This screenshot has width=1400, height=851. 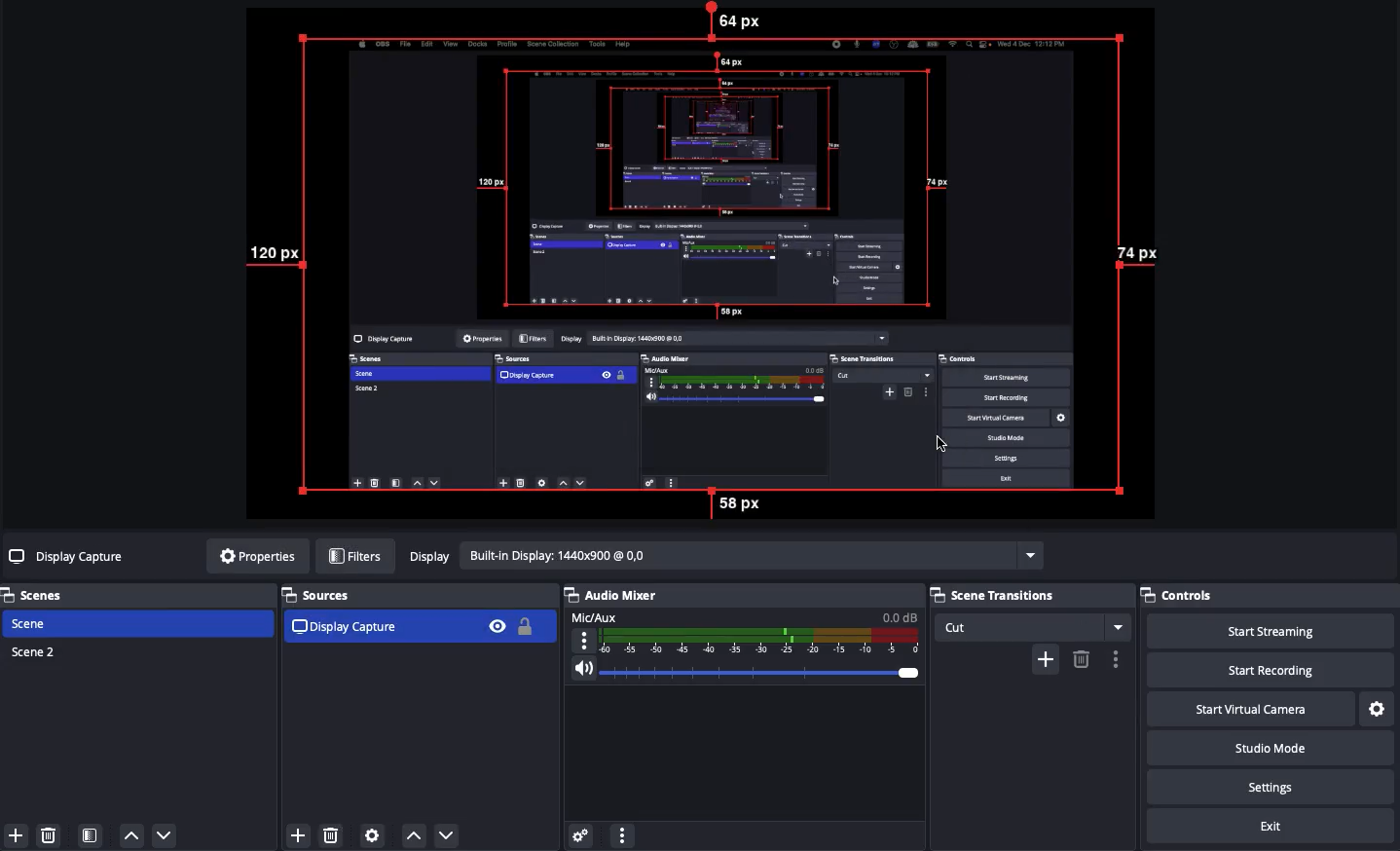 I want to click on Scenes, so click(x=44, y=595).